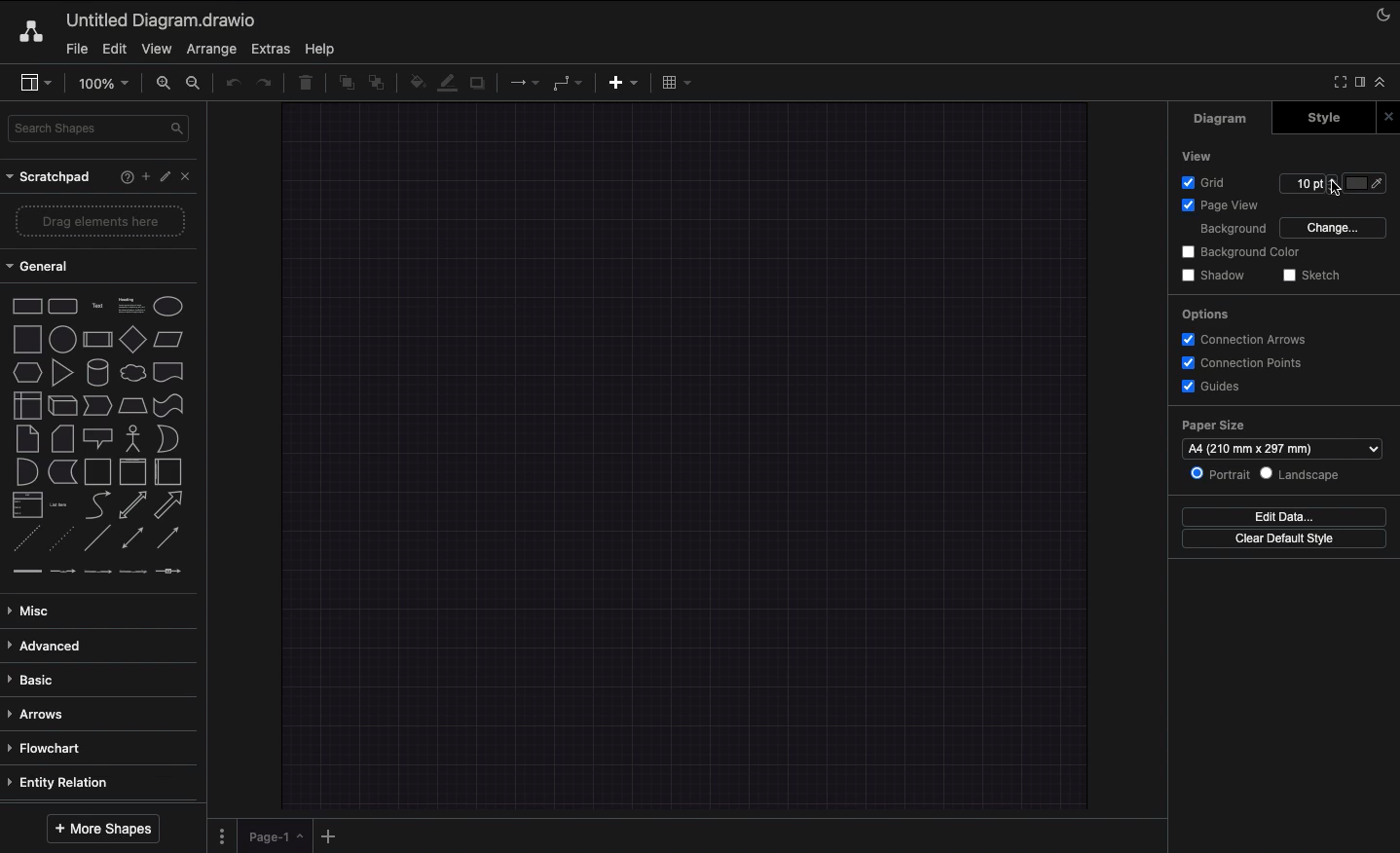 The image size is (1400, 853). Describe the element at coordinates (114, 50) in the screenshot. I see `Edit` at that location.